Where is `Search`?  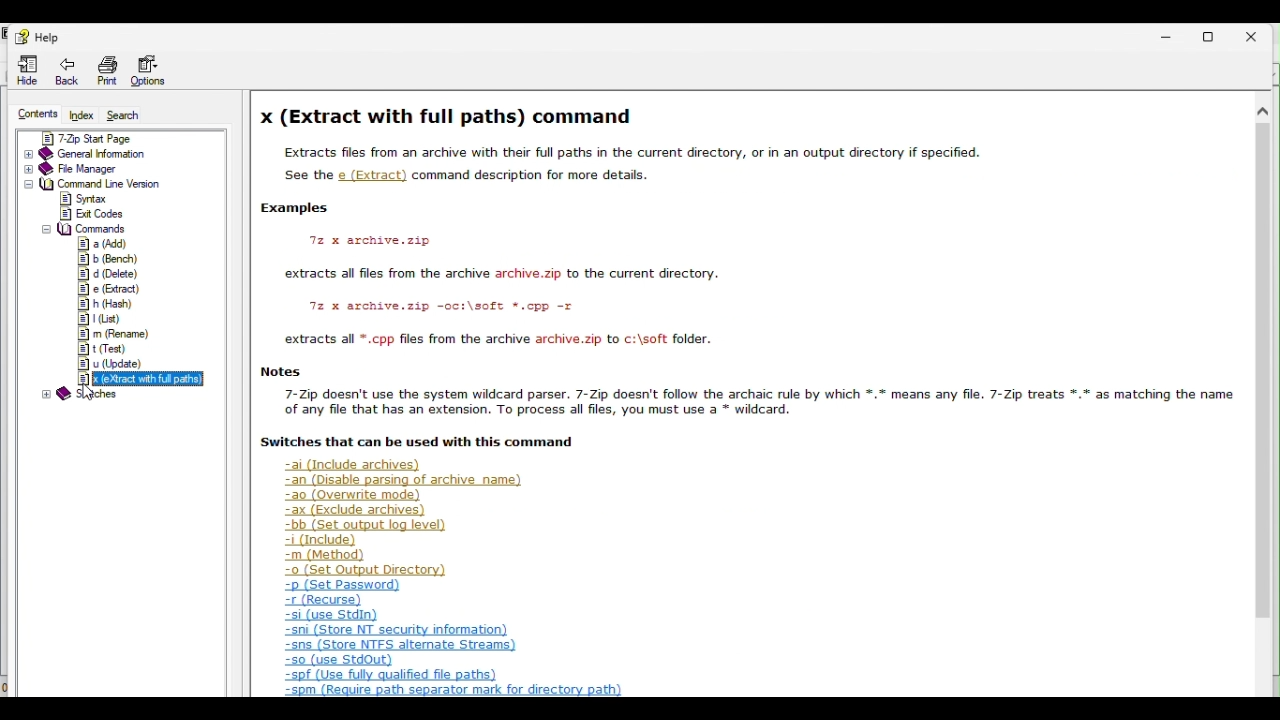
Search is located at coordinates (125, 115).